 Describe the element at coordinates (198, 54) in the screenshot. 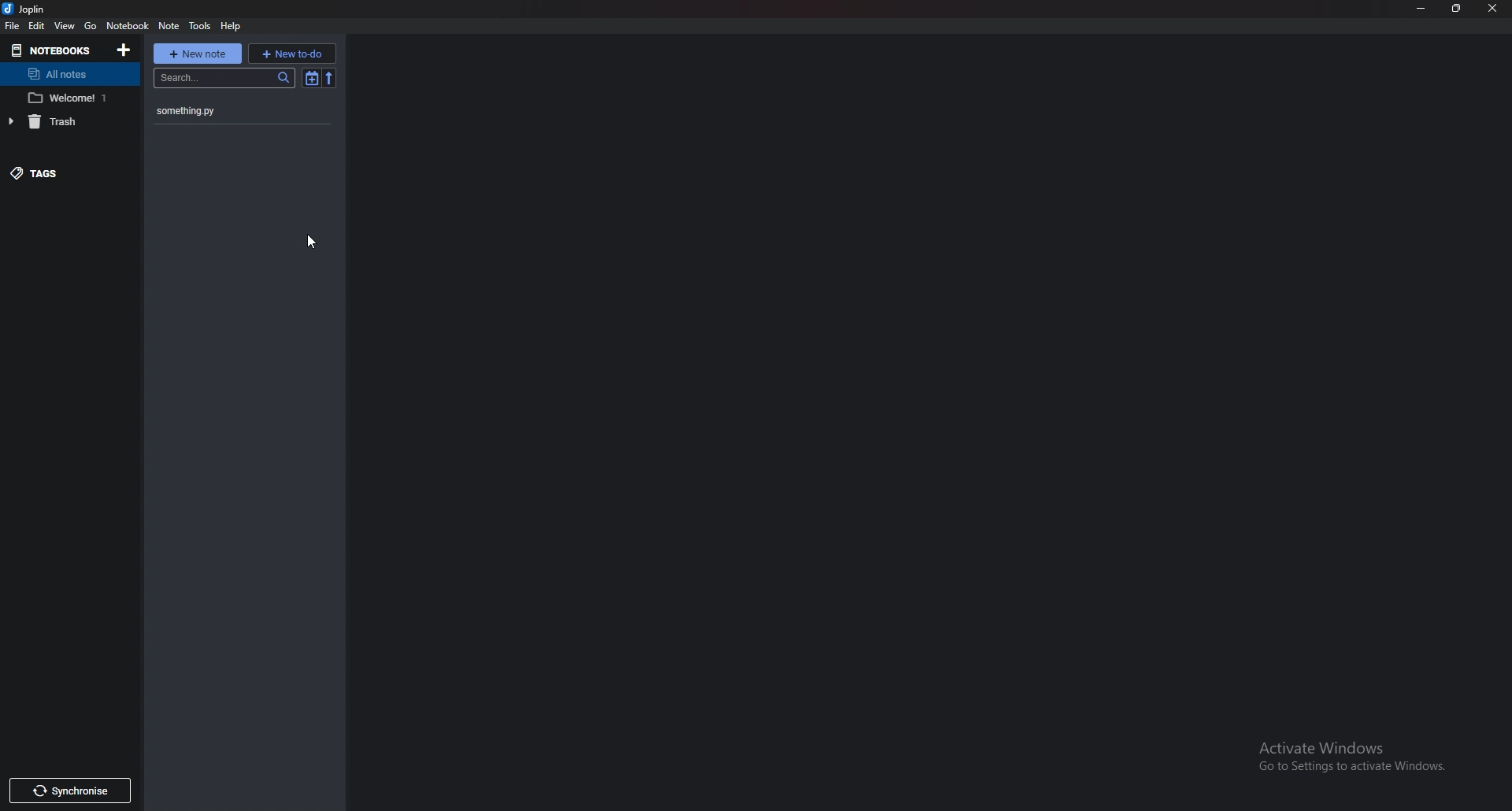

I see `New note` at that location.